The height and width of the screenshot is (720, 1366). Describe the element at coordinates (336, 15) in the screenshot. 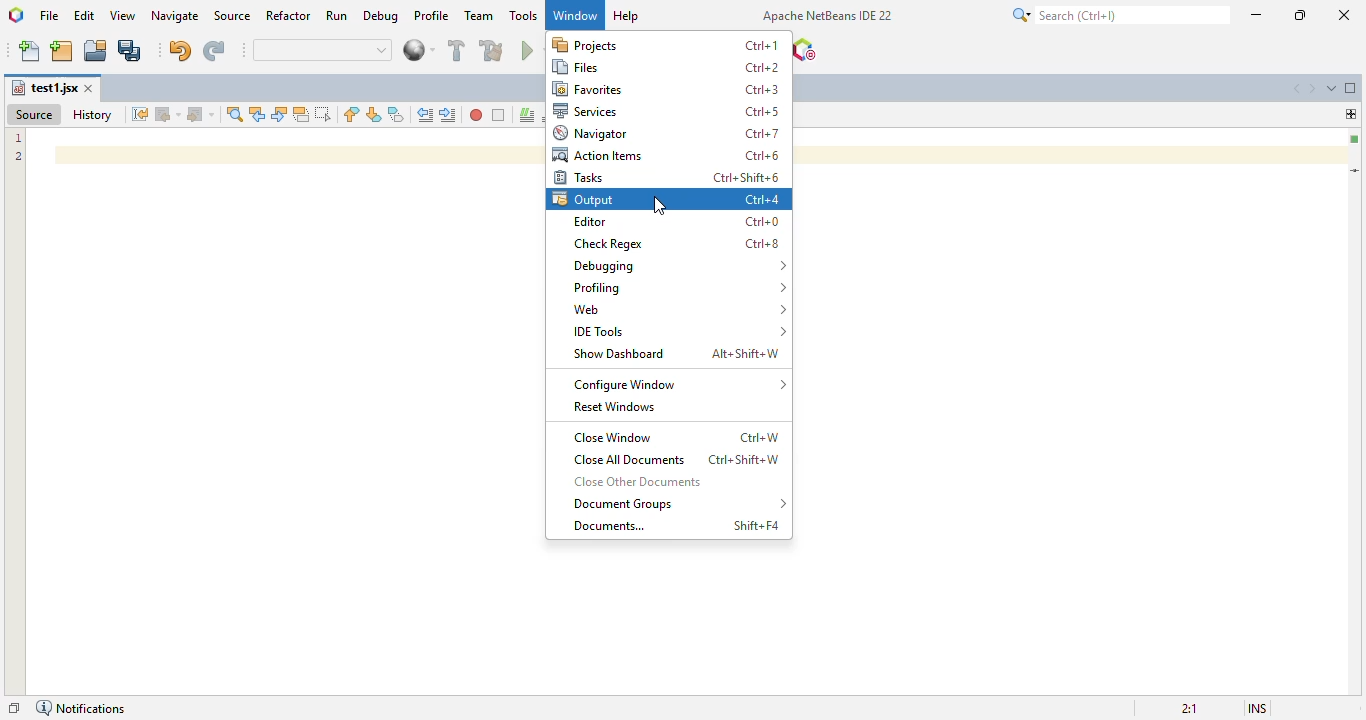

I see `run` at that location.